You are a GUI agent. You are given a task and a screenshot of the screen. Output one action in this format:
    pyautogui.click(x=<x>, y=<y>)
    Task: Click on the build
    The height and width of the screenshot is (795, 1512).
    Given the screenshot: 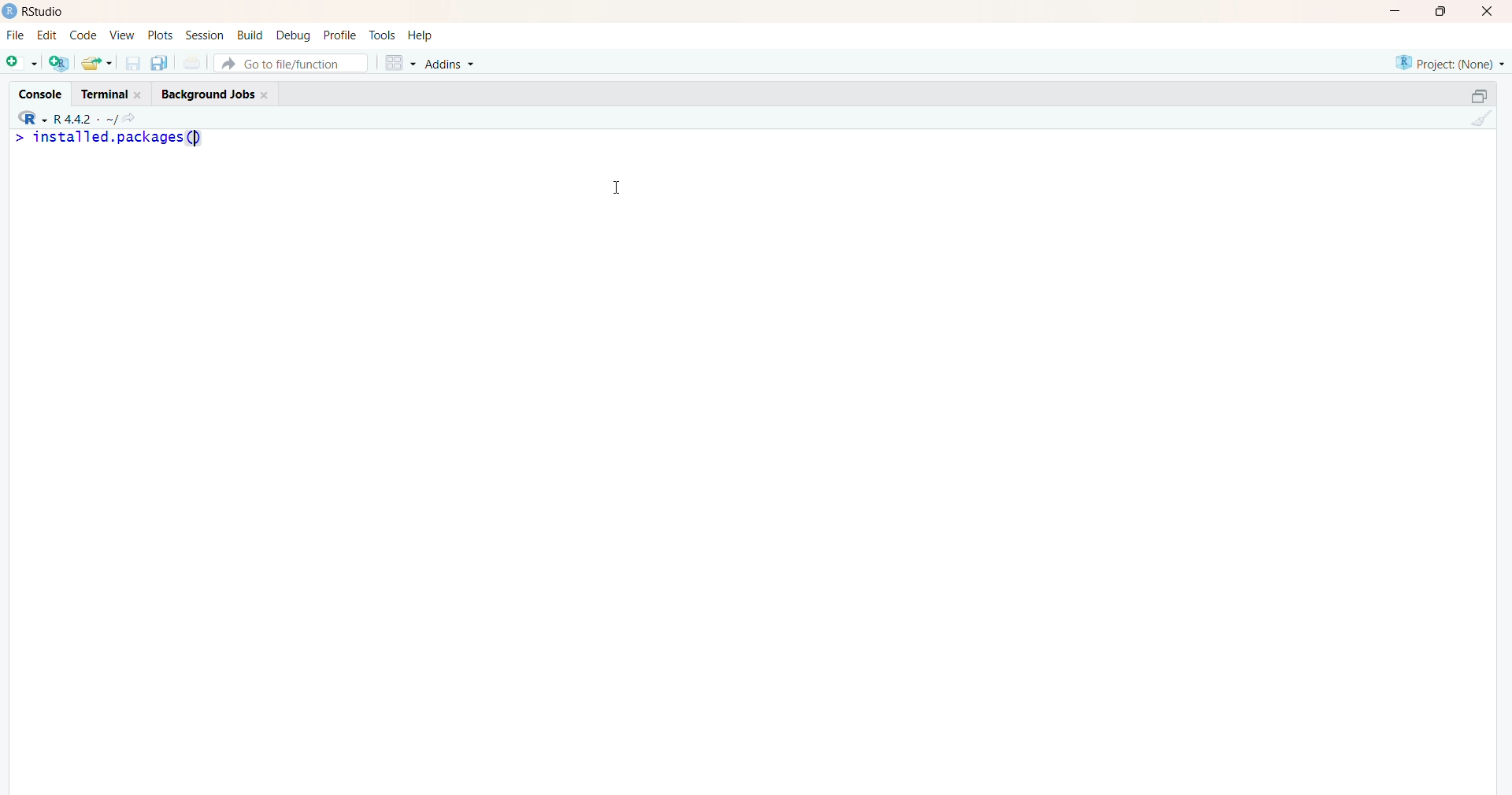 What is the action you would take?
    pyautogui.click(x=251, y=35)
    